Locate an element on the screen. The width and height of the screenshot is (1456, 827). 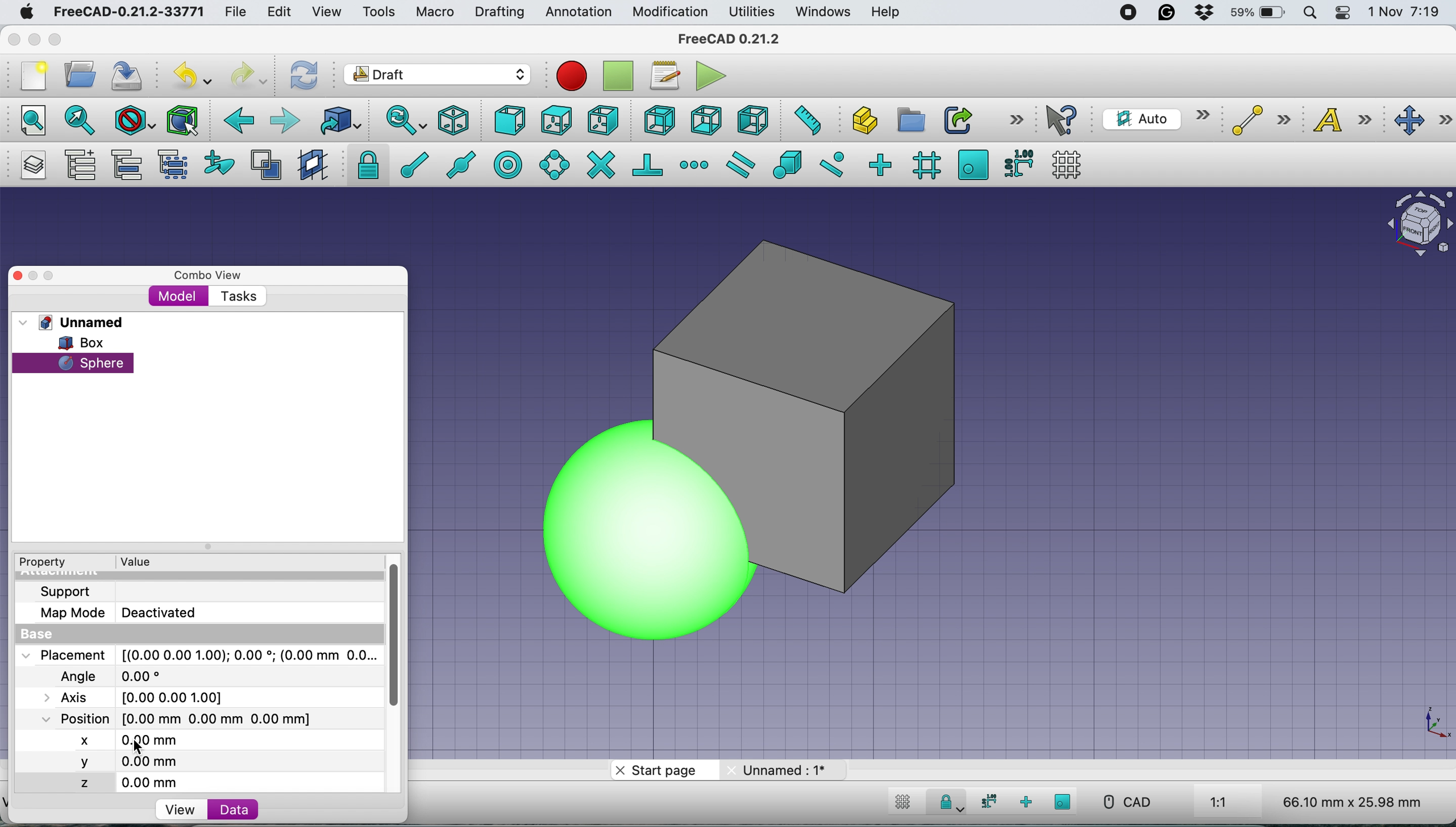
base is located at coordinates (40, 635).